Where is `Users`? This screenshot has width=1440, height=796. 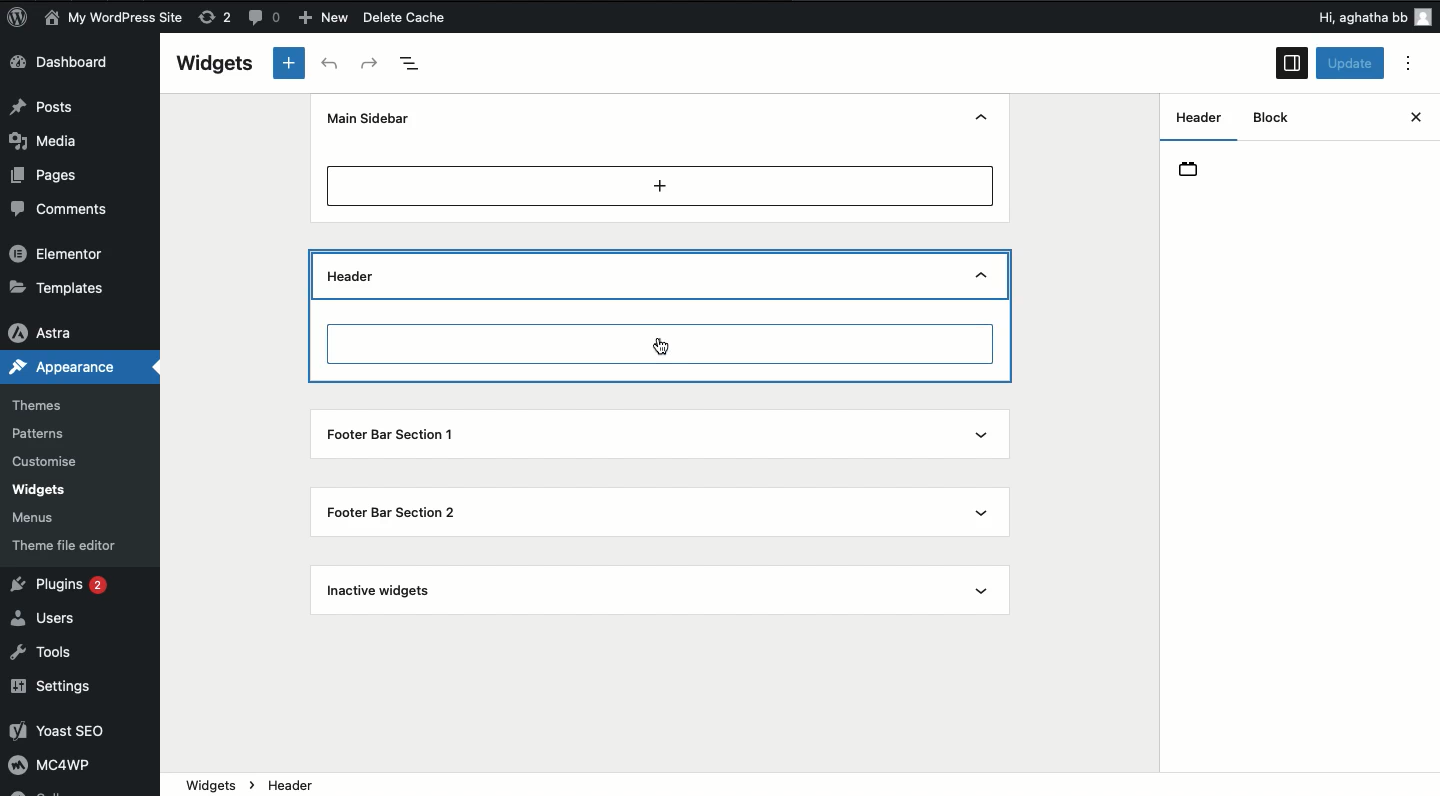 Users is located at coordinates (52, 617).